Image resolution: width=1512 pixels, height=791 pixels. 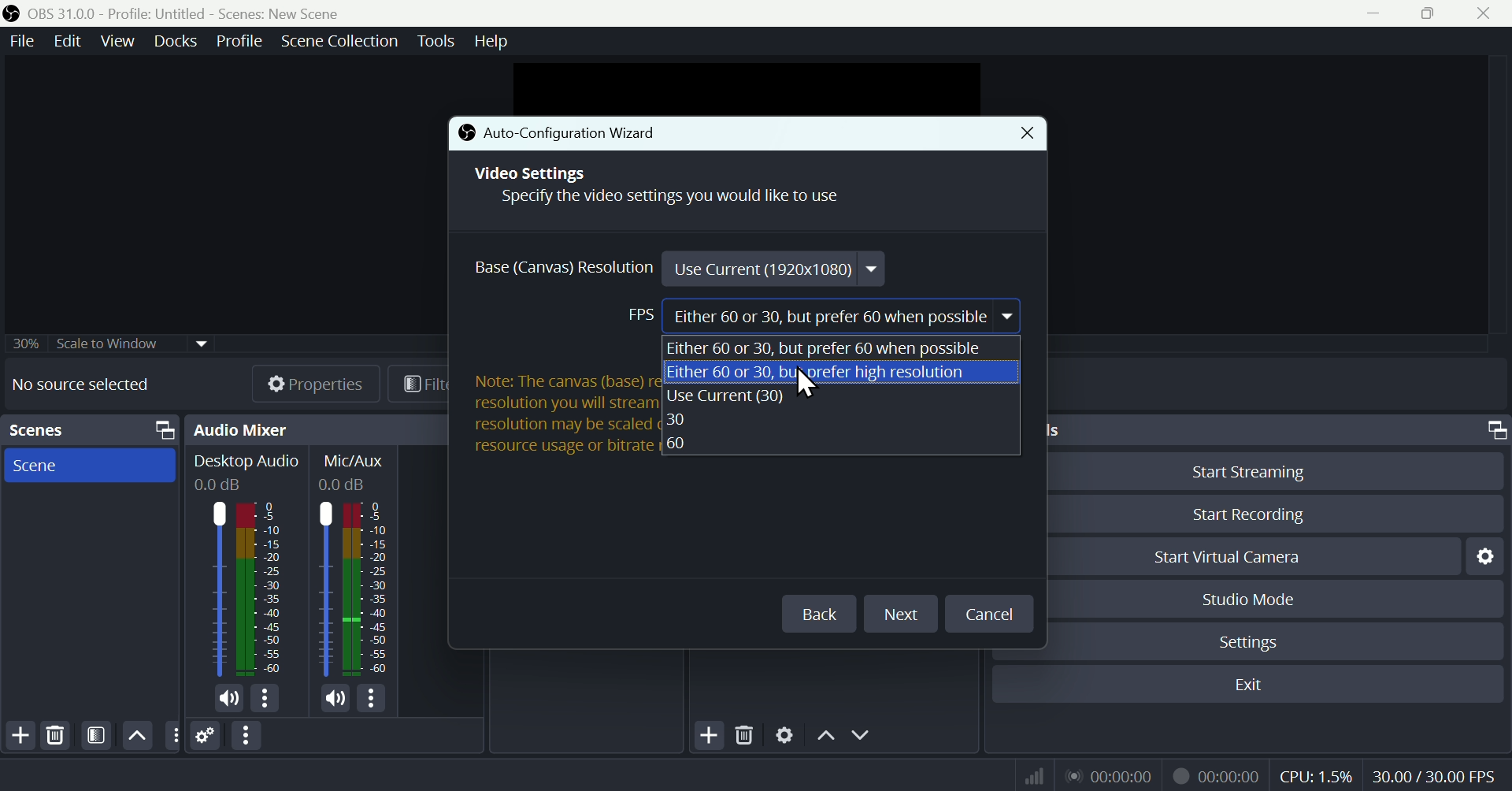 I want to click on View, so click(x=114, y=41).